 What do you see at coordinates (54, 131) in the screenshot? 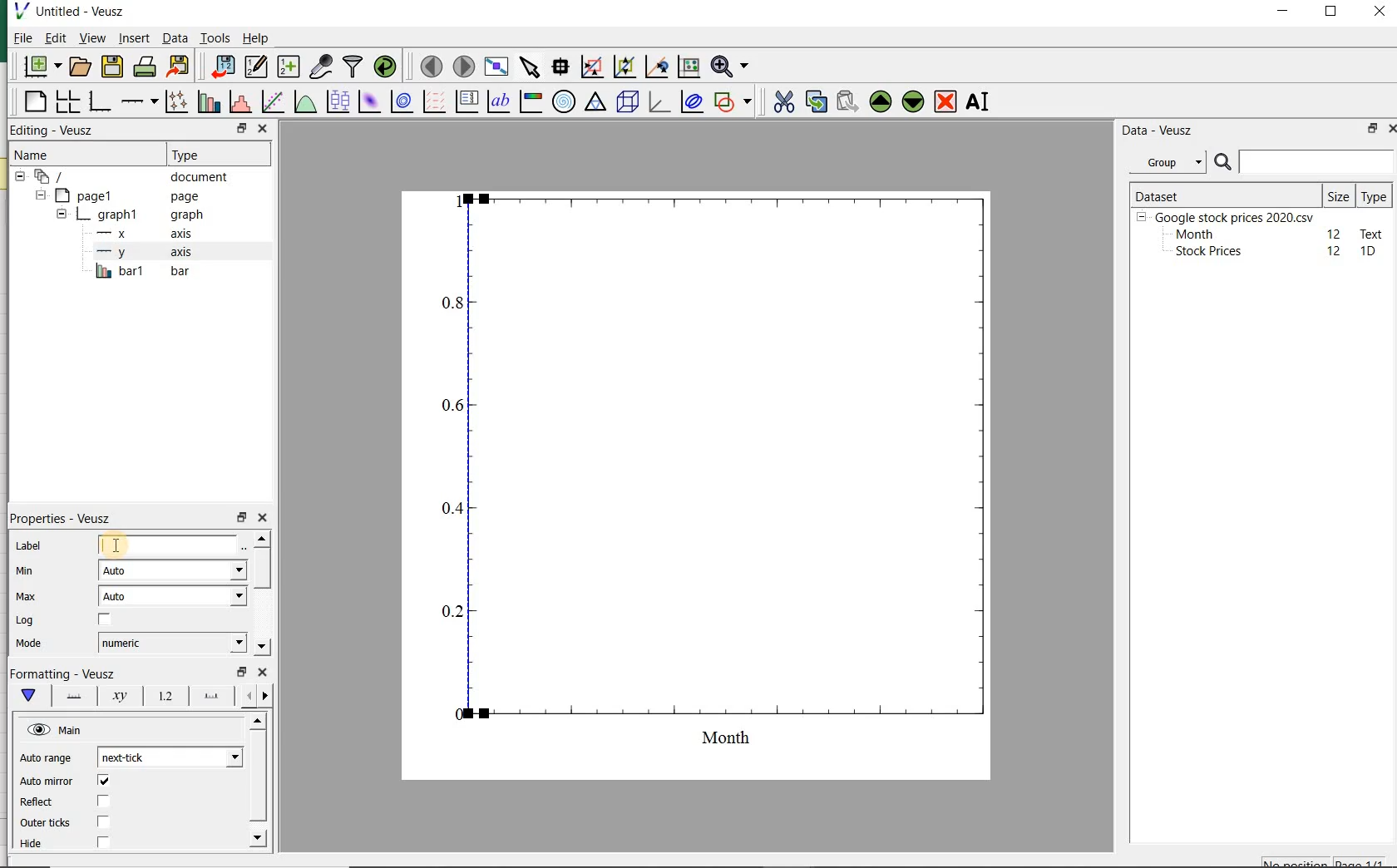
I see `Editing - Veusz` at bounding box center [54, 131].